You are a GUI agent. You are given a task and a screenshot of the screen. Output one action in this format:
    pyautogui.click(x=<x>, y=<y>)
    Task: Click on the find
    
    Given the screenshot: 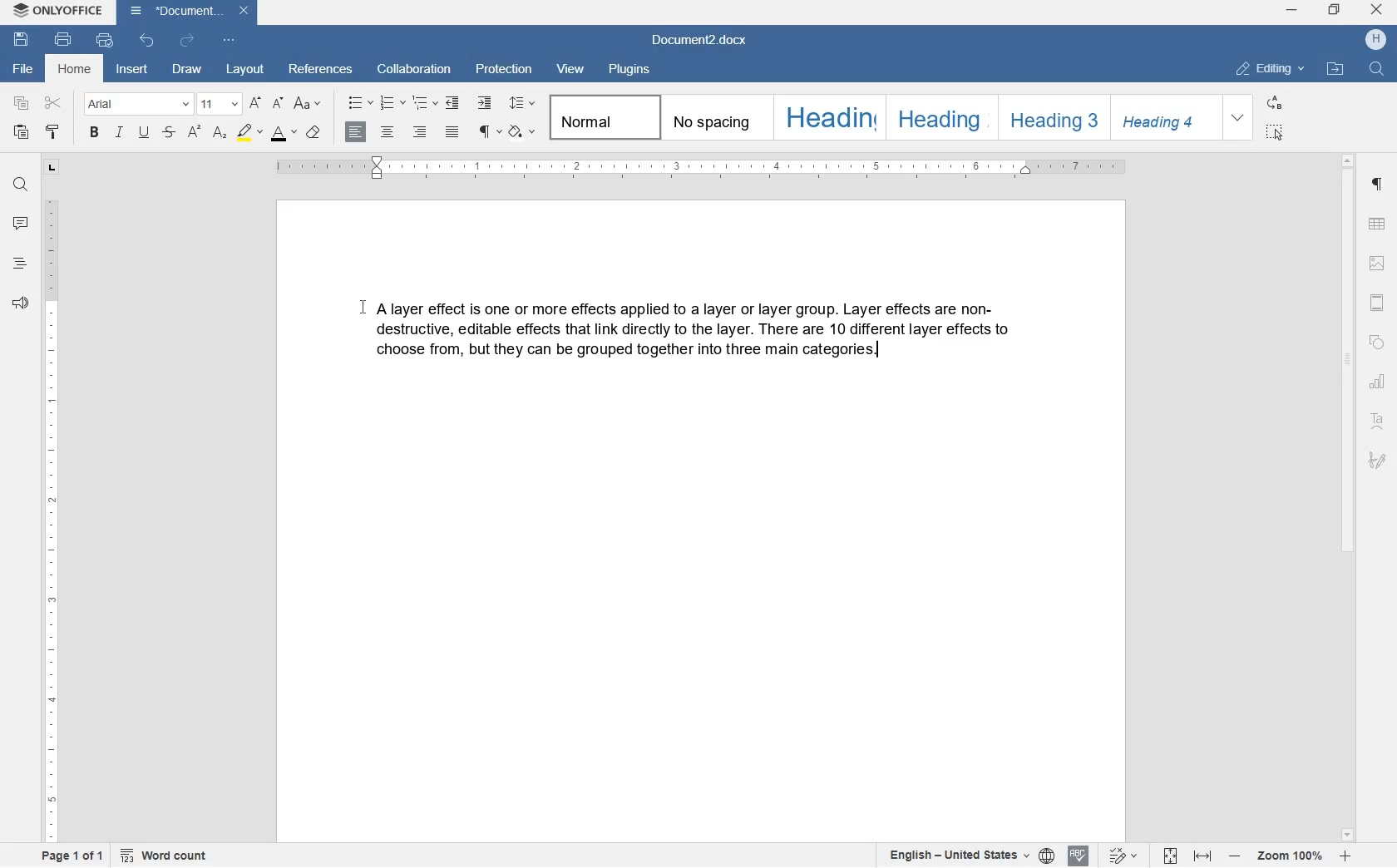 What is the action you would take?
    pyautogui.click(x=20, y=184)
    